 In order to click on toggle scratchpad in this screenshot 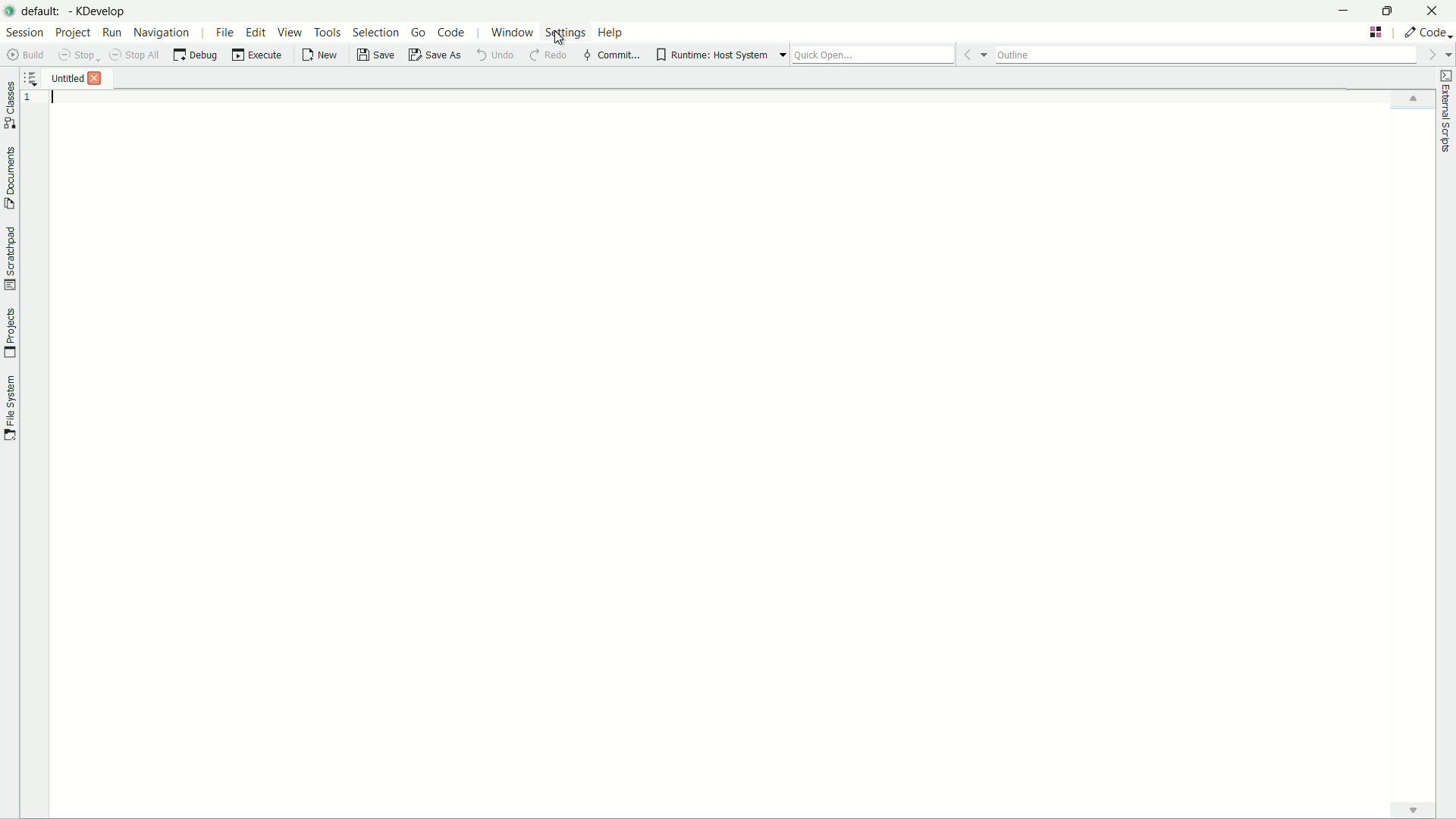, I will do `click(11, 260)`.